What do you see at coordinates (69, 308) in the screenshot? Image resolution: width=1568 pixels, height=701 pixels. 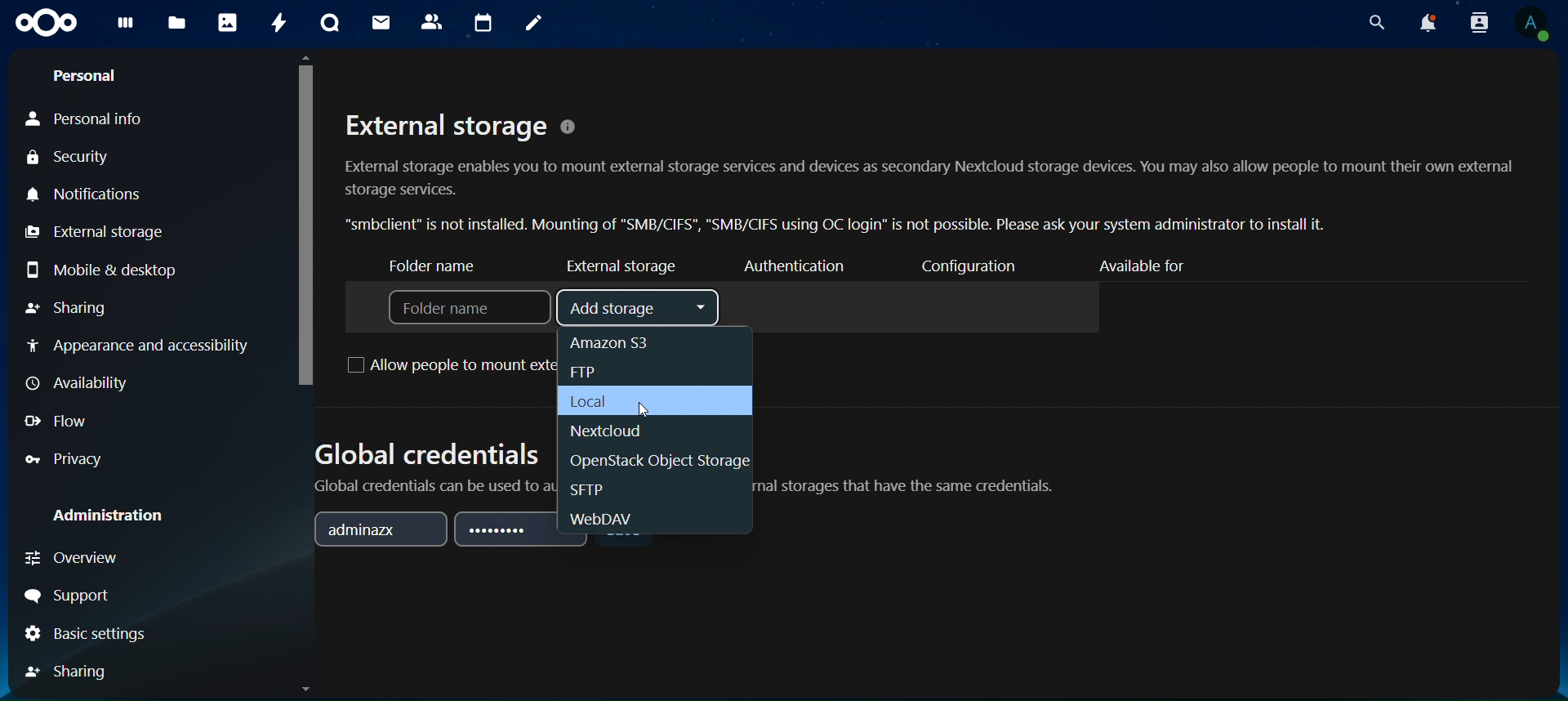 I see `sharing` at bounding box center [69, 308].